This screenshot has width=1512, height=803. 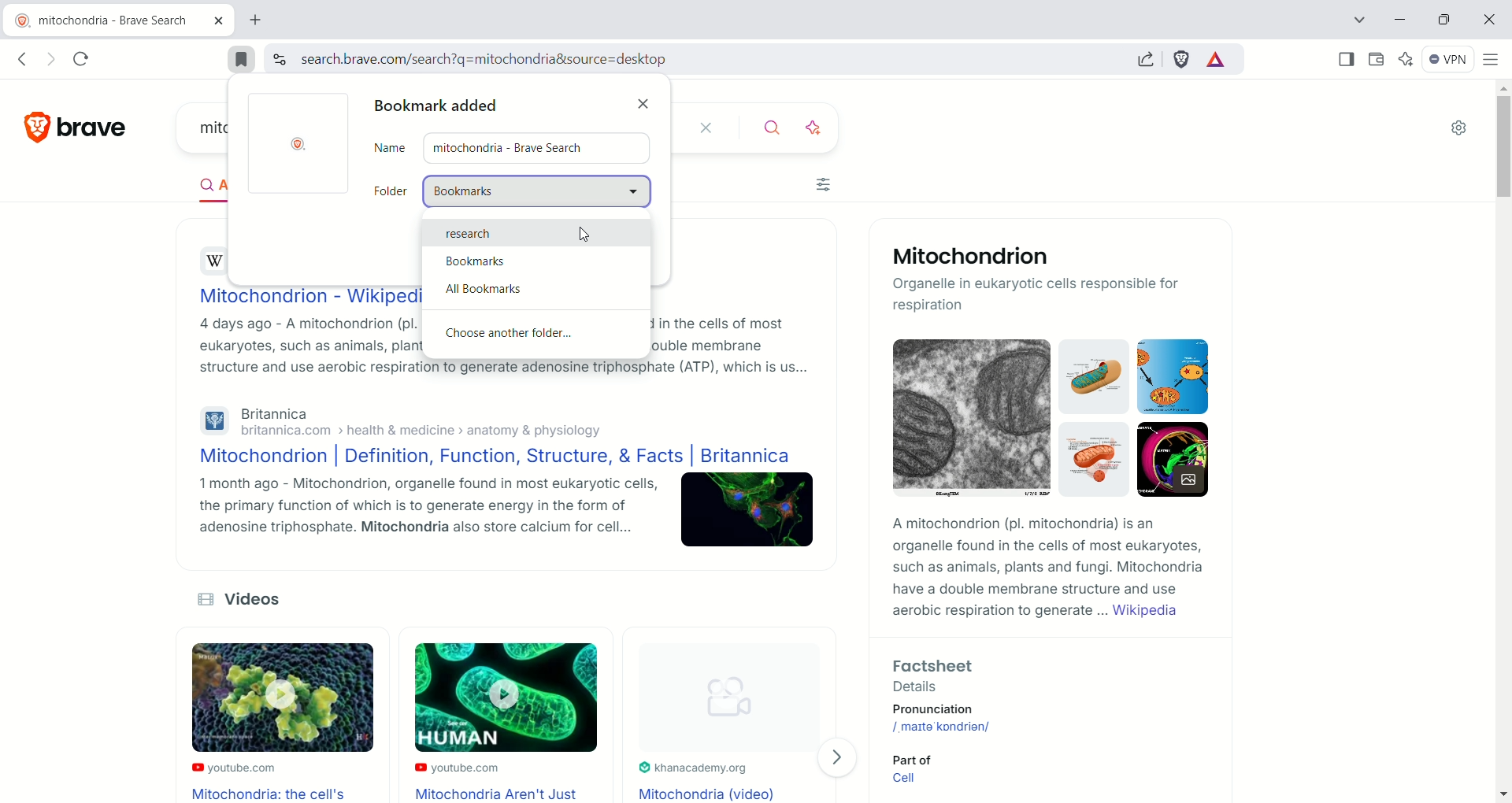 I want to click on maximize, so click(x=1444, y=20).